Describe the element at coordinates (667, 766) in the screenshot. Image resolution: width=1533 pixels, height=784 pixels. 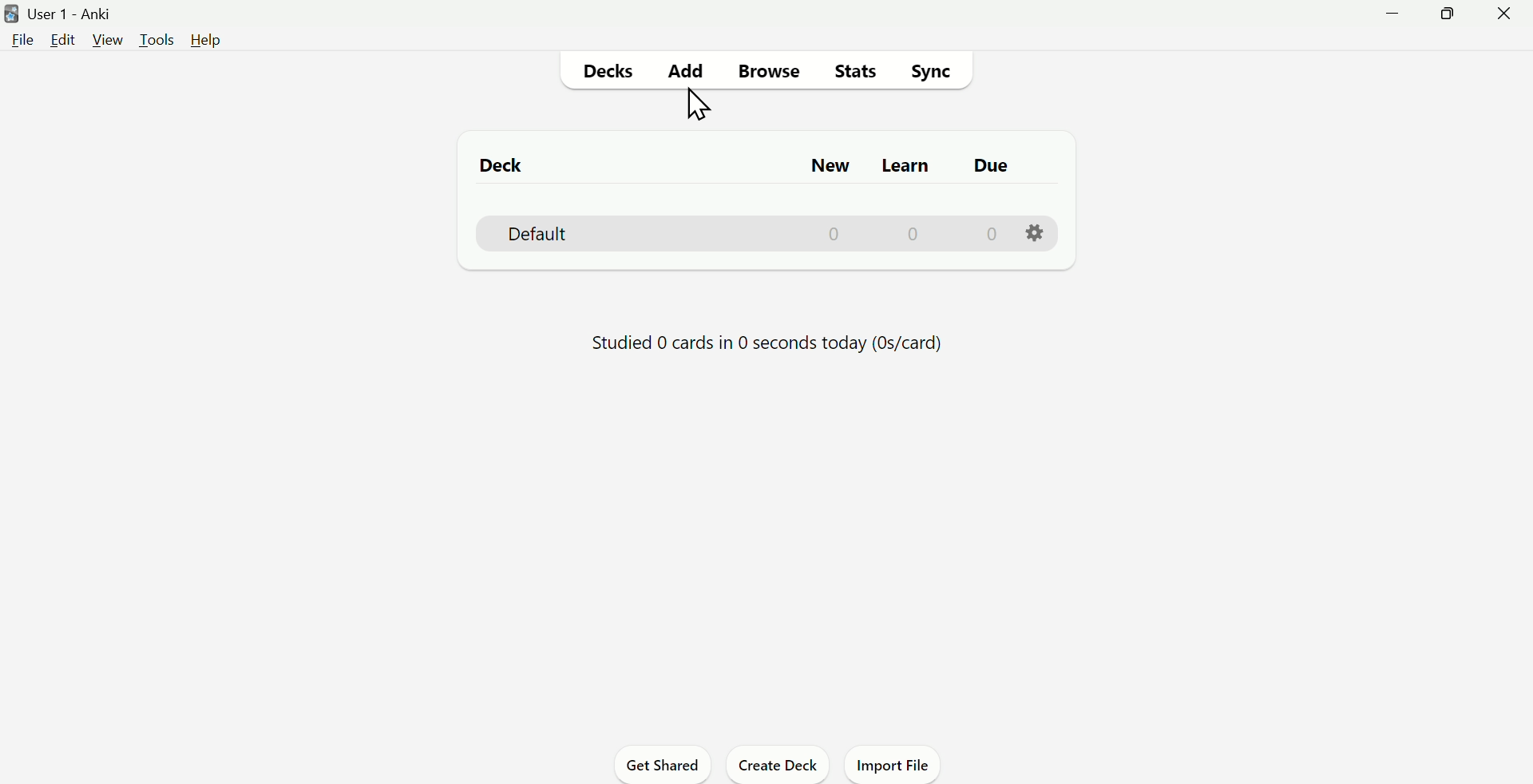
I see `Get Shared` at that location.